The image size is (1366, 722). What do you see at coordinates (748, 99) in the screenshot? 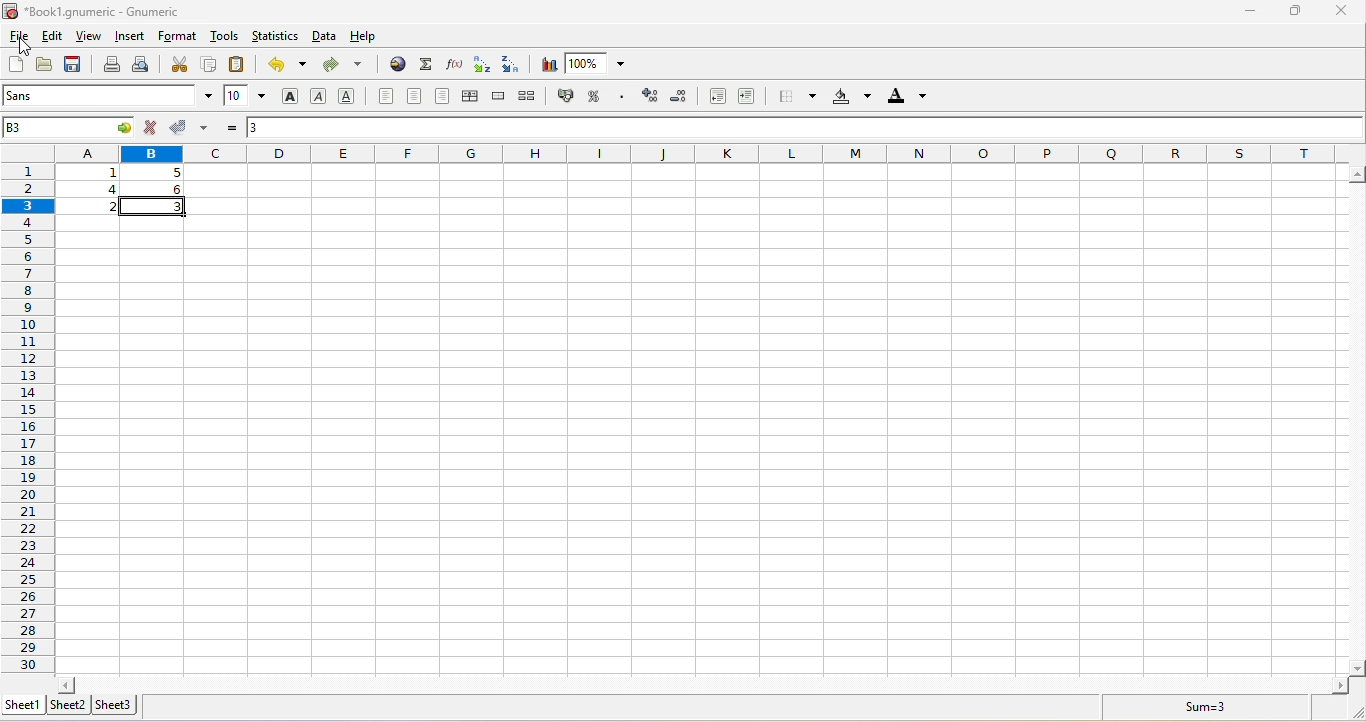
I see `increase the indent` at bounding box center [748, 99].